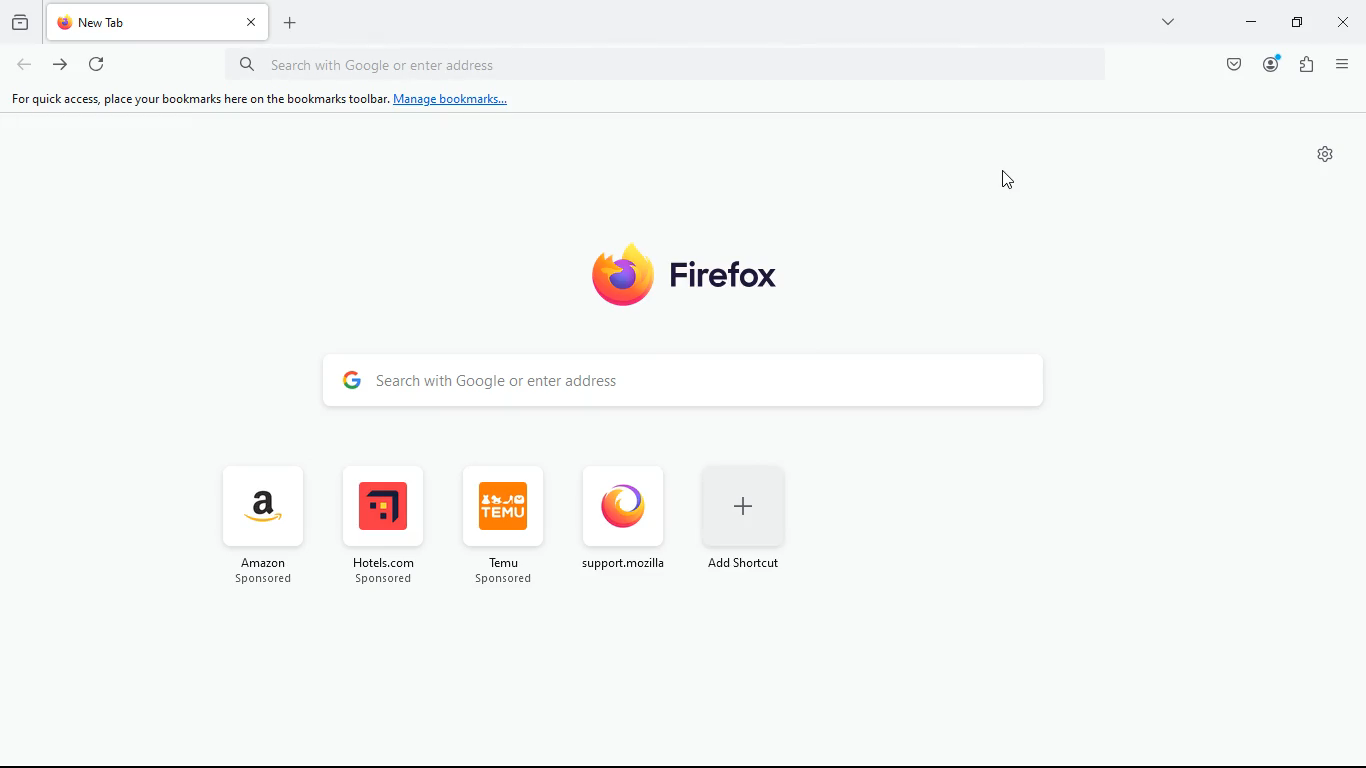 Image resolution: width=1366 pixels, height=768 pixels. I want to click on  Manage bookmarks., so click(451, 100).